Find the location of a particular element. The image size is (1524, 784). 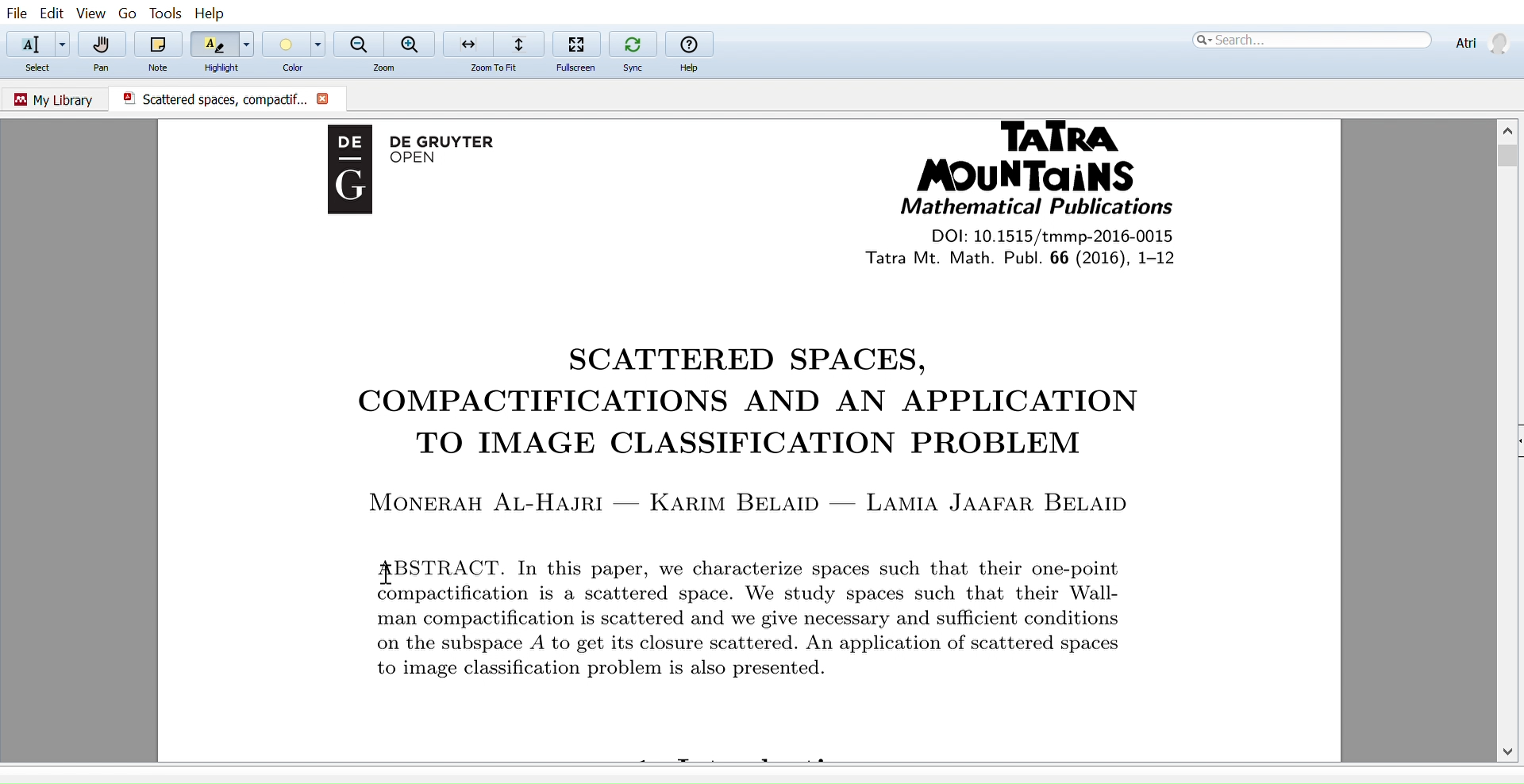

View is located at coordinates (92, 14).